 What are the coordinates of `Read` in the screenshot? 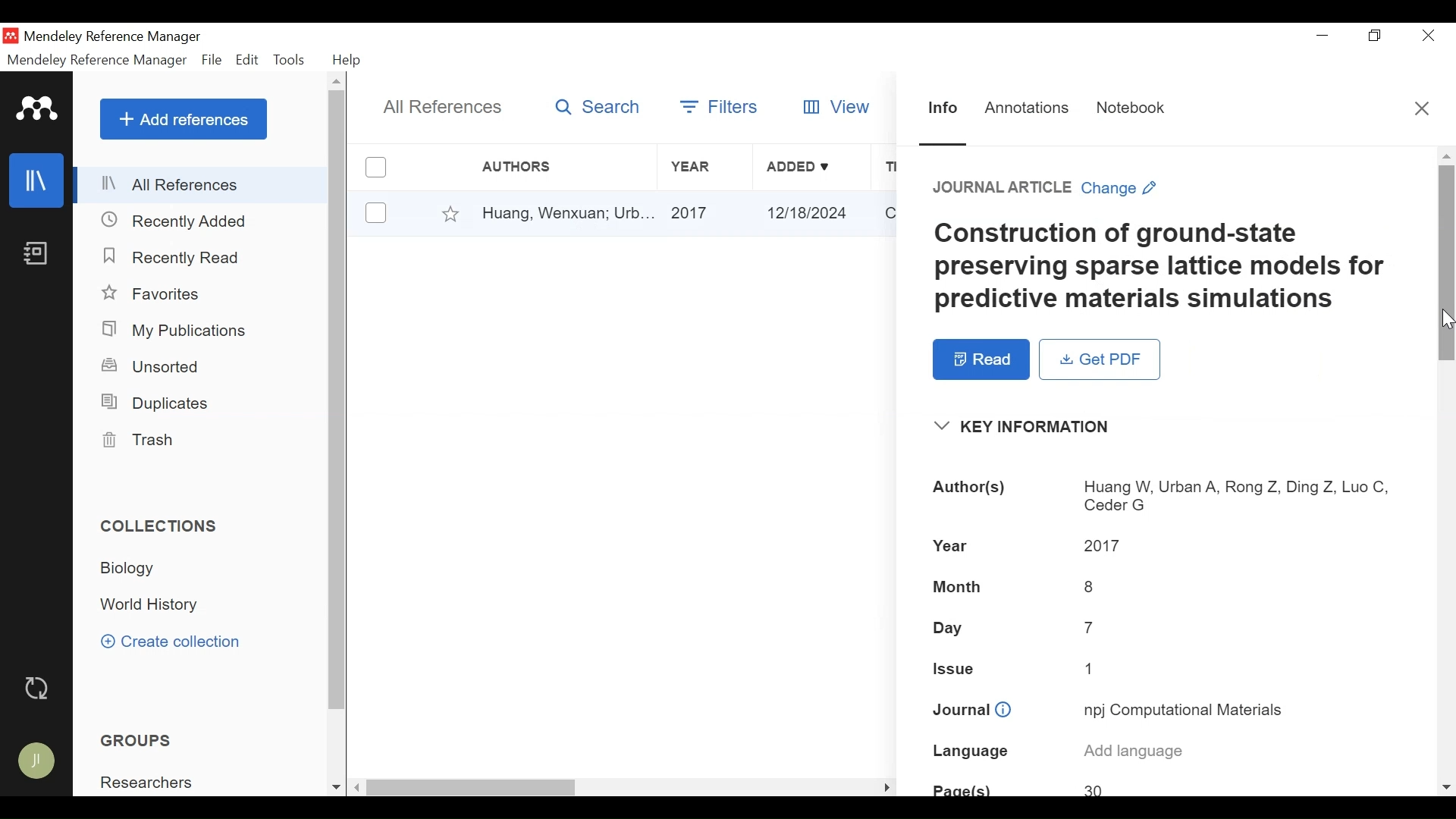 It's located at (981, 360).